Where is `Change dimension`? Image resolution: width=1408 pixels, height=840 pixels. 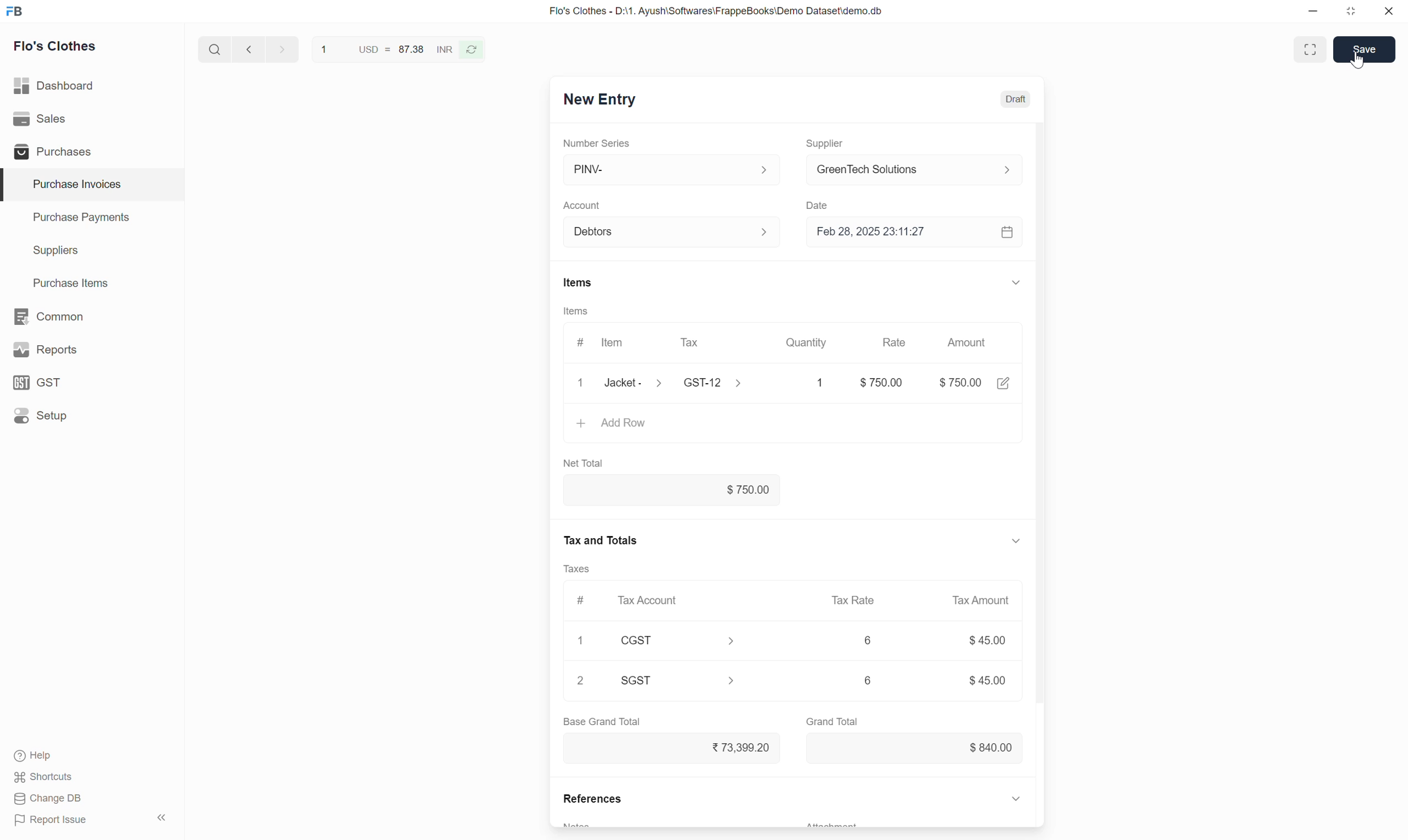
Change dimension is located at coordinates (1350, 11).